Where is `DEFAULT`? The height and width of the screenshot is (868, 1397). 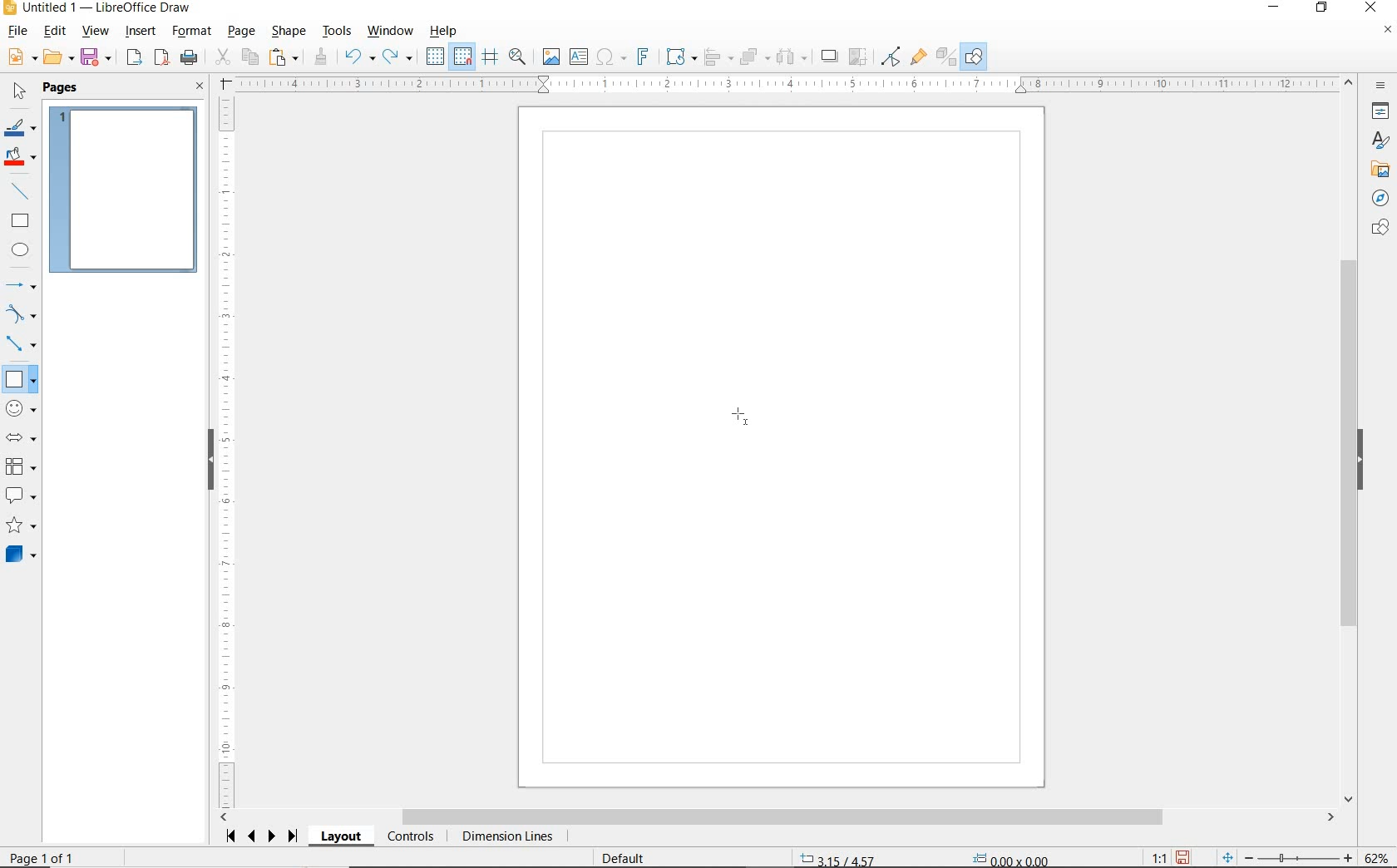 DEFAULT is located at coordinates (629, 859).